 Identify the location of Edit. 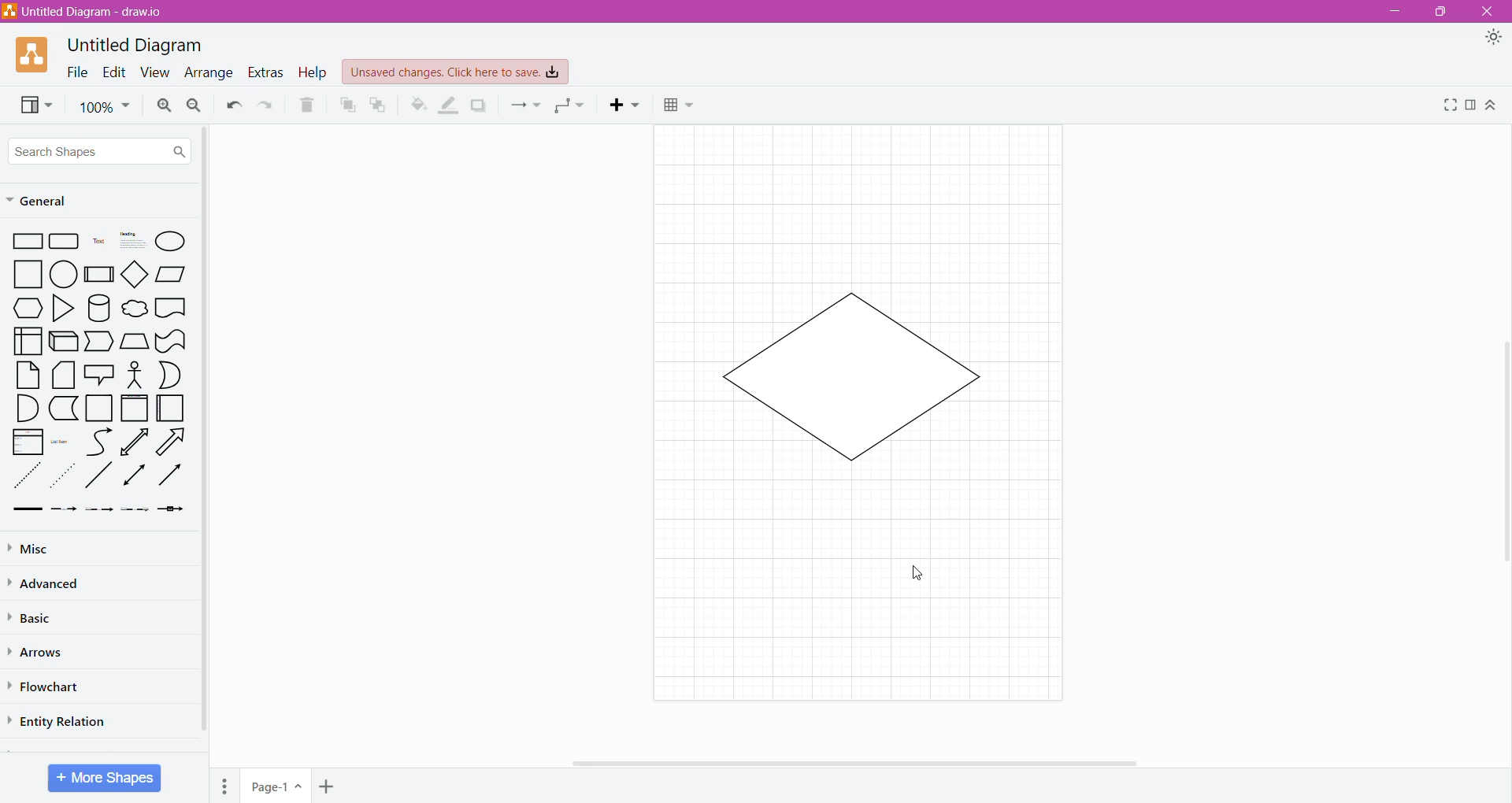
(114, 73).